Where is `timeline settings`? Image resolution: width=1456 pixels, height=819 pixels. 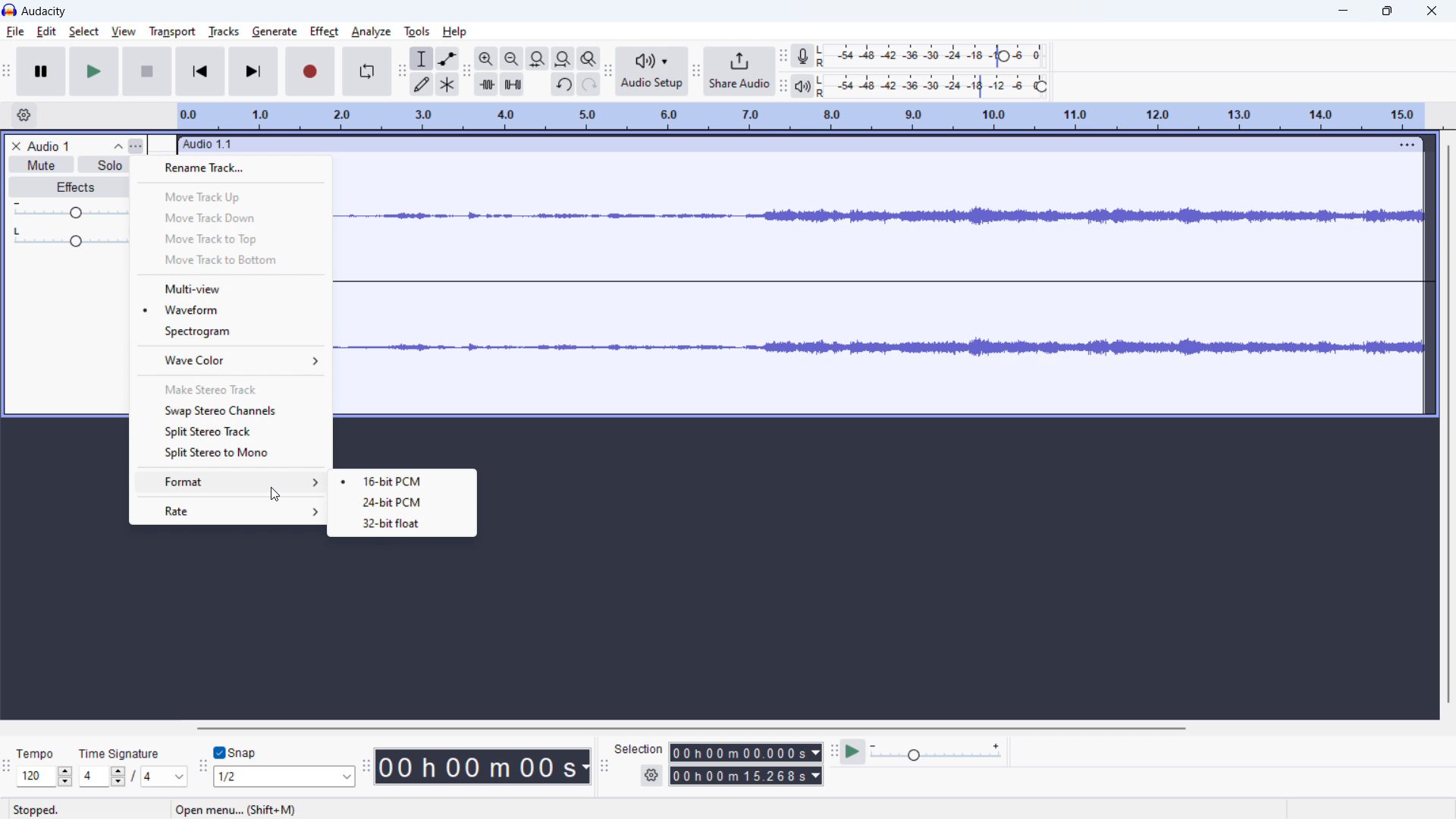 timeline settings is located at coordinates (24, 115).